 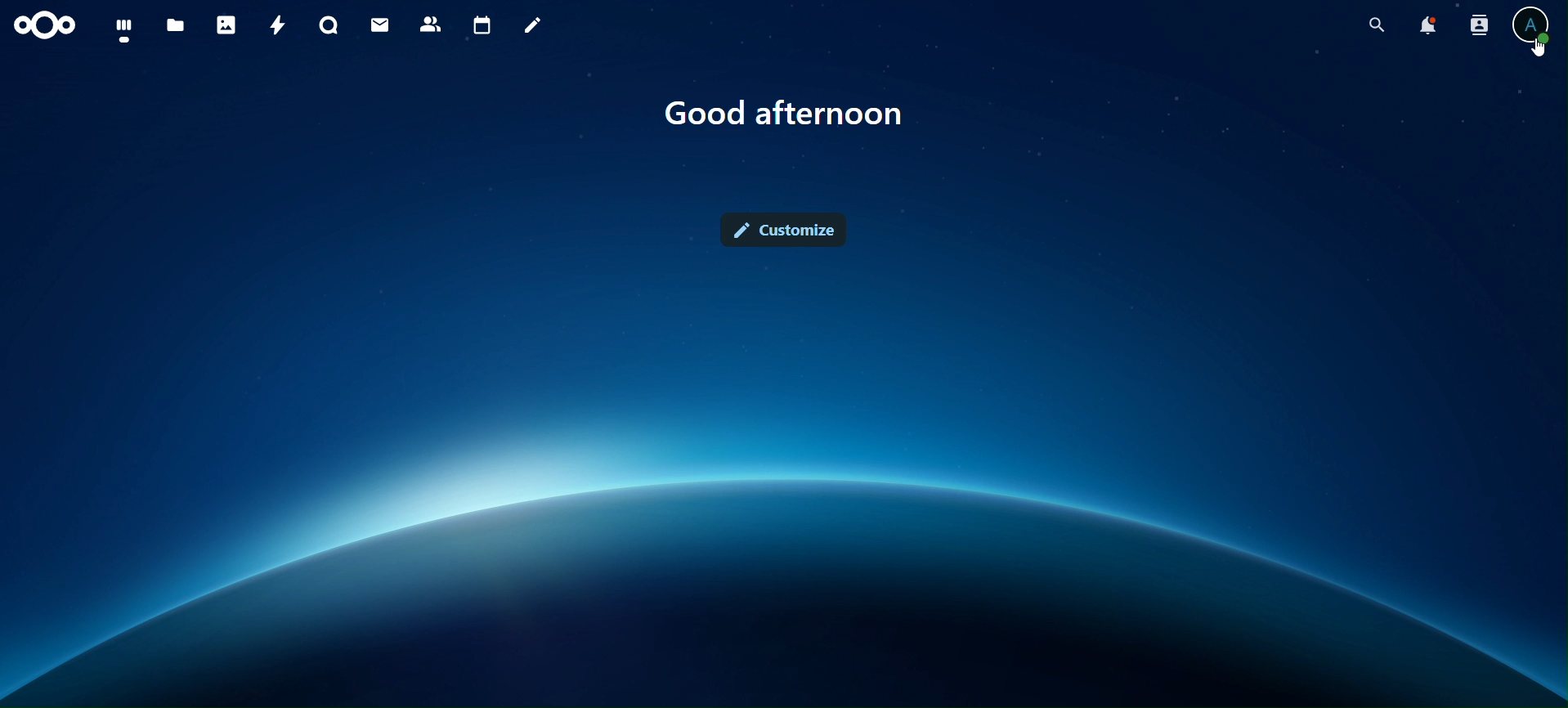 I want to click on dashboard, so click(x=125, y=29).